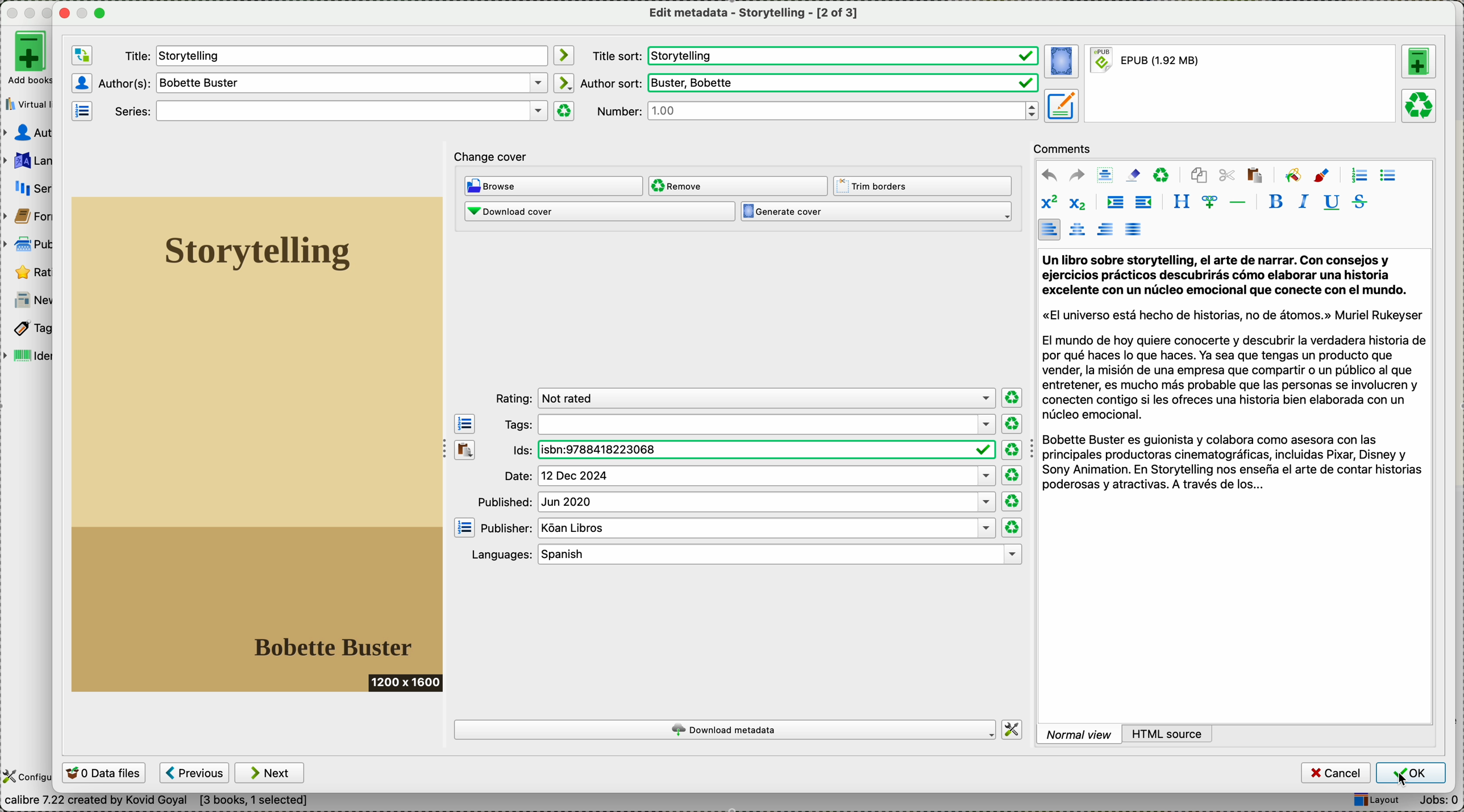 This screenshot has height=812, width=1464. Describe the element at coordinates (81, 54) in the screenshot. I see `swap the autor and title` at that location.